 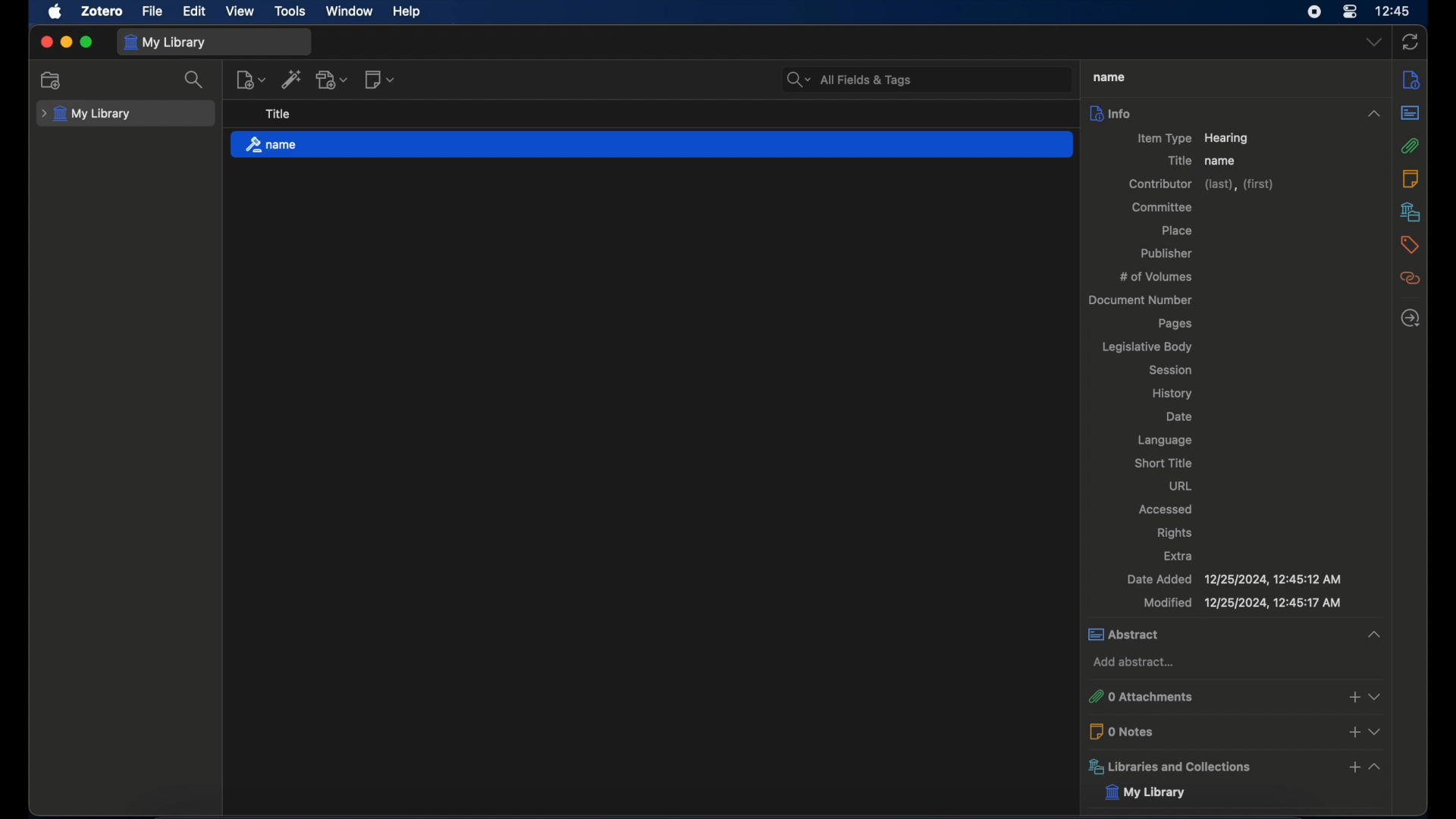 What do you see at coordinates (652, 145) in the screenshot?
I see `name` at bounding box center [652, 145].